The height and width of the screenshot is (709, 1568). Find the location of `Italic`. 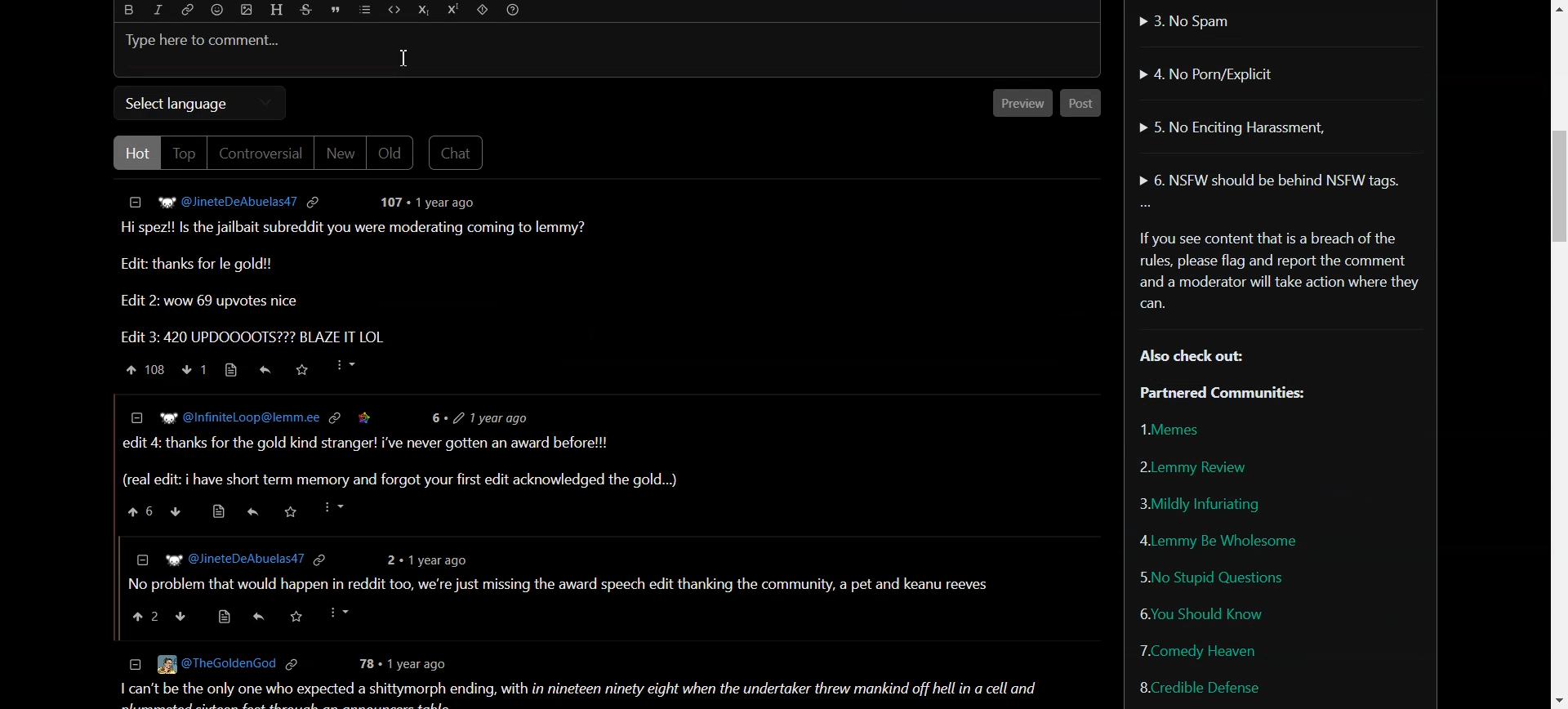

Italic is located at coordinates (158, 11).